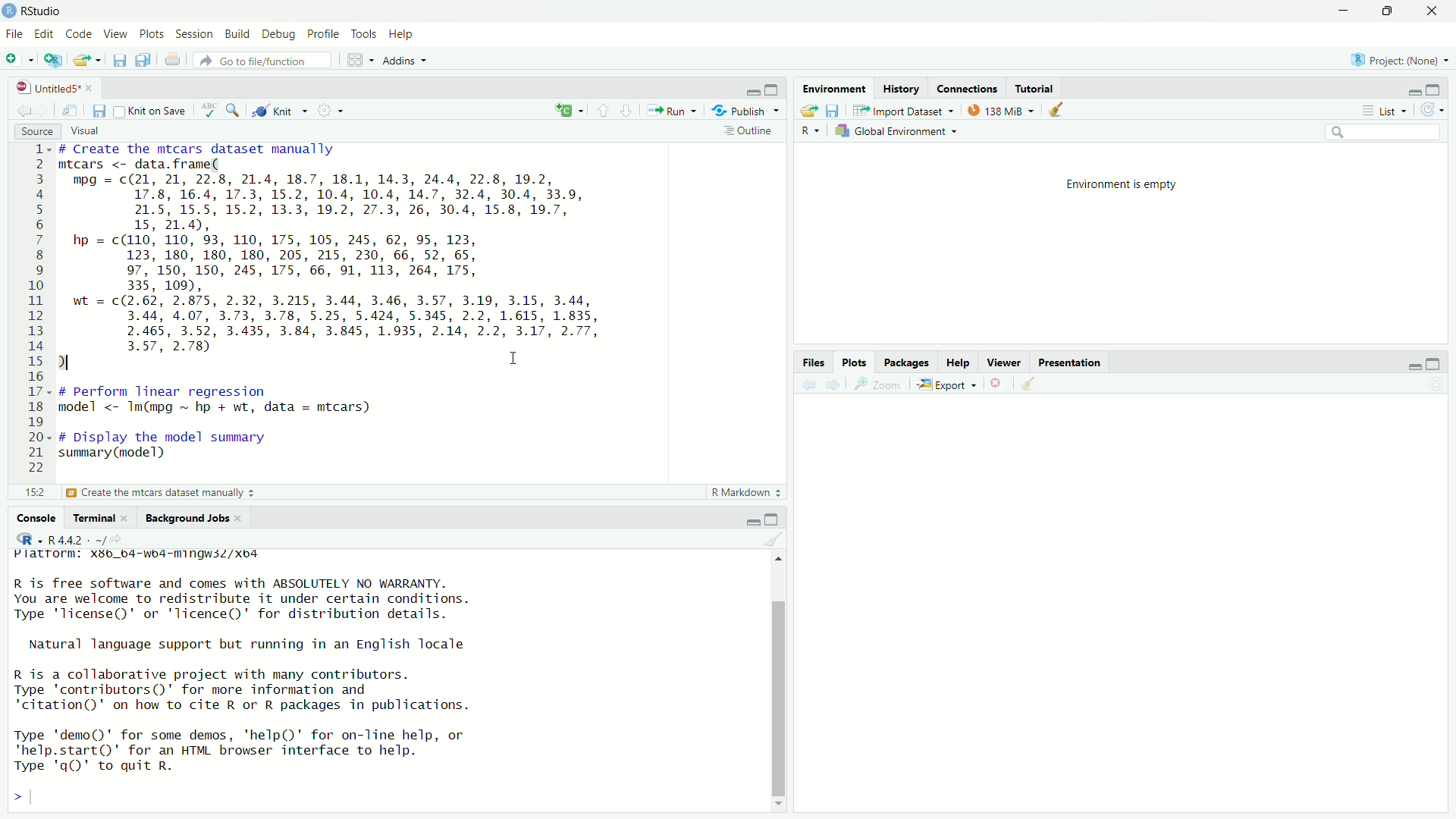 Image resolution: width=1456 pixels, height=819 pixels. I want to click on code, so click(80, 34).